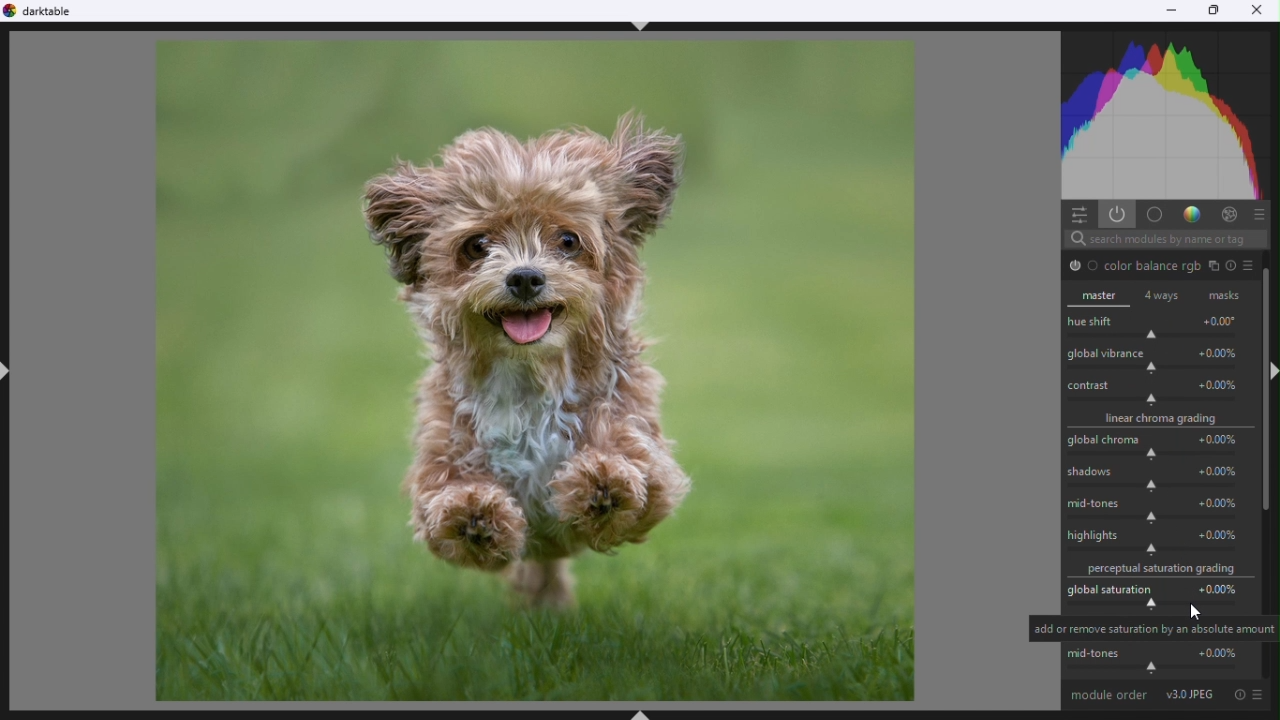  What do you see at coordinates (644, 713) in the screenshot?
I see `ctrl+shhft+B` at bounding box center [644, 713].